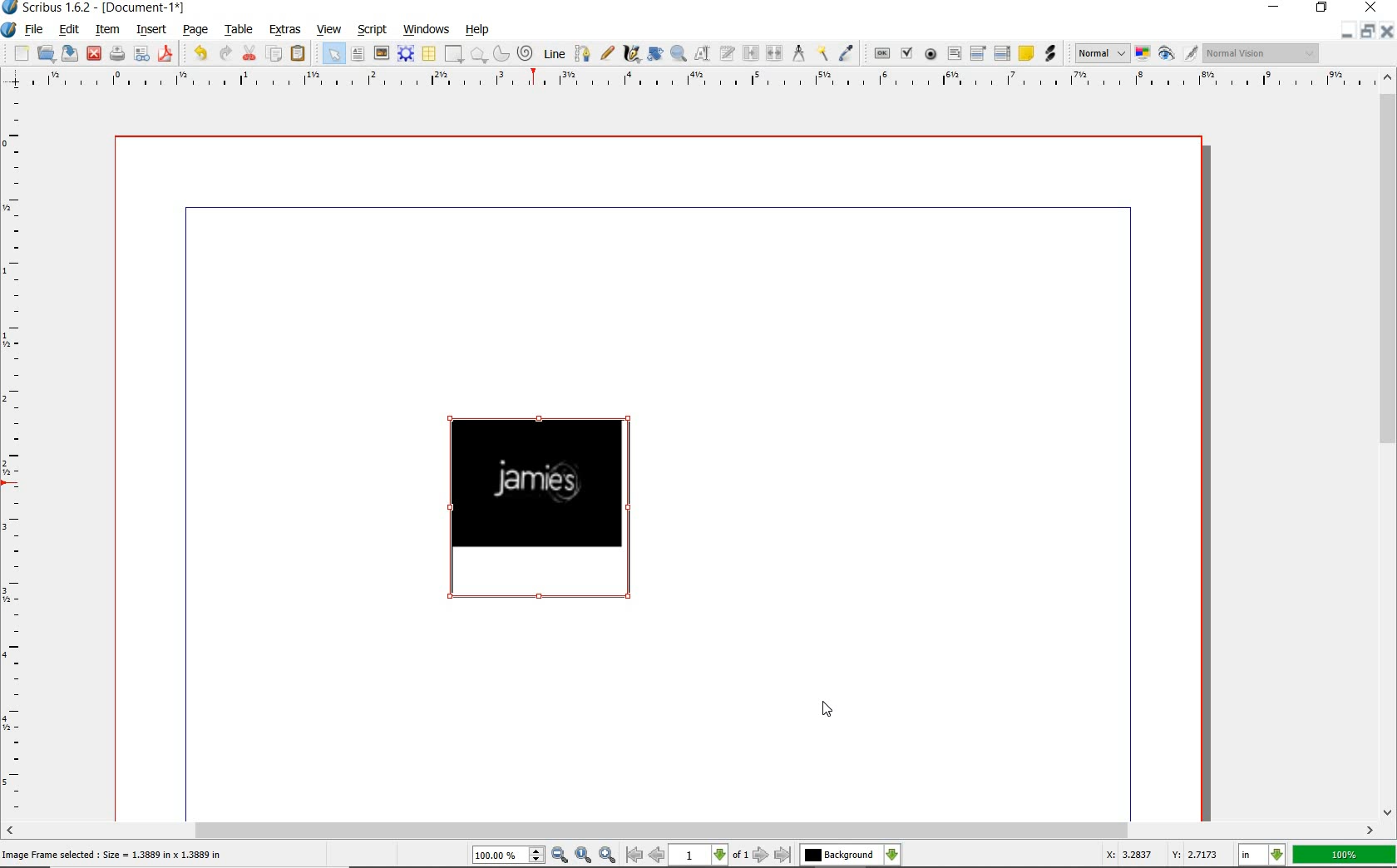 The width and height of the screenshot is (1397, 868). Describe the element at coordinates (774, 52) in the screenshot. I see `unlink text frames` at that location.